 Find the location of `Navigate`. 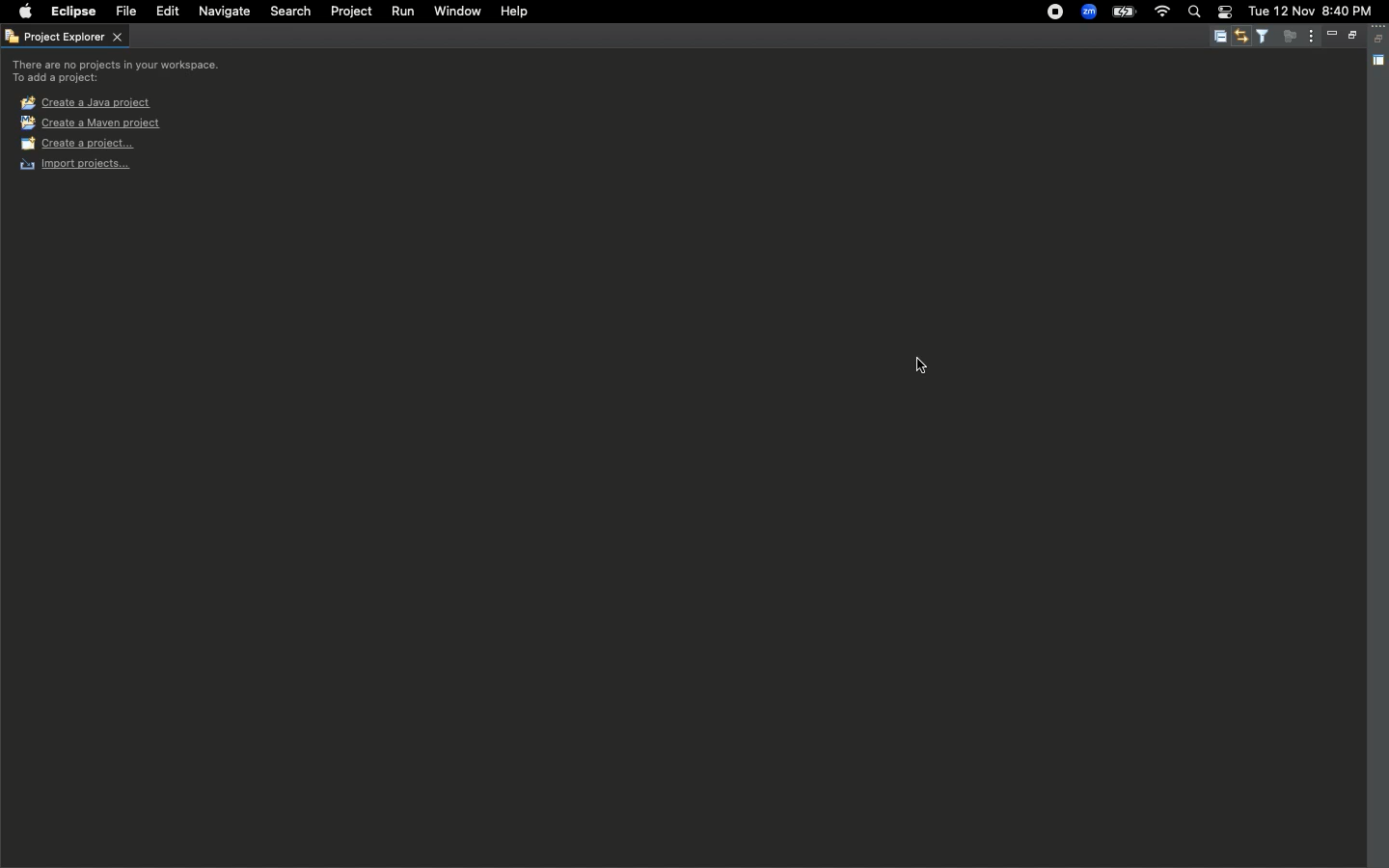

Navigate is located at coordinates (224, 12).